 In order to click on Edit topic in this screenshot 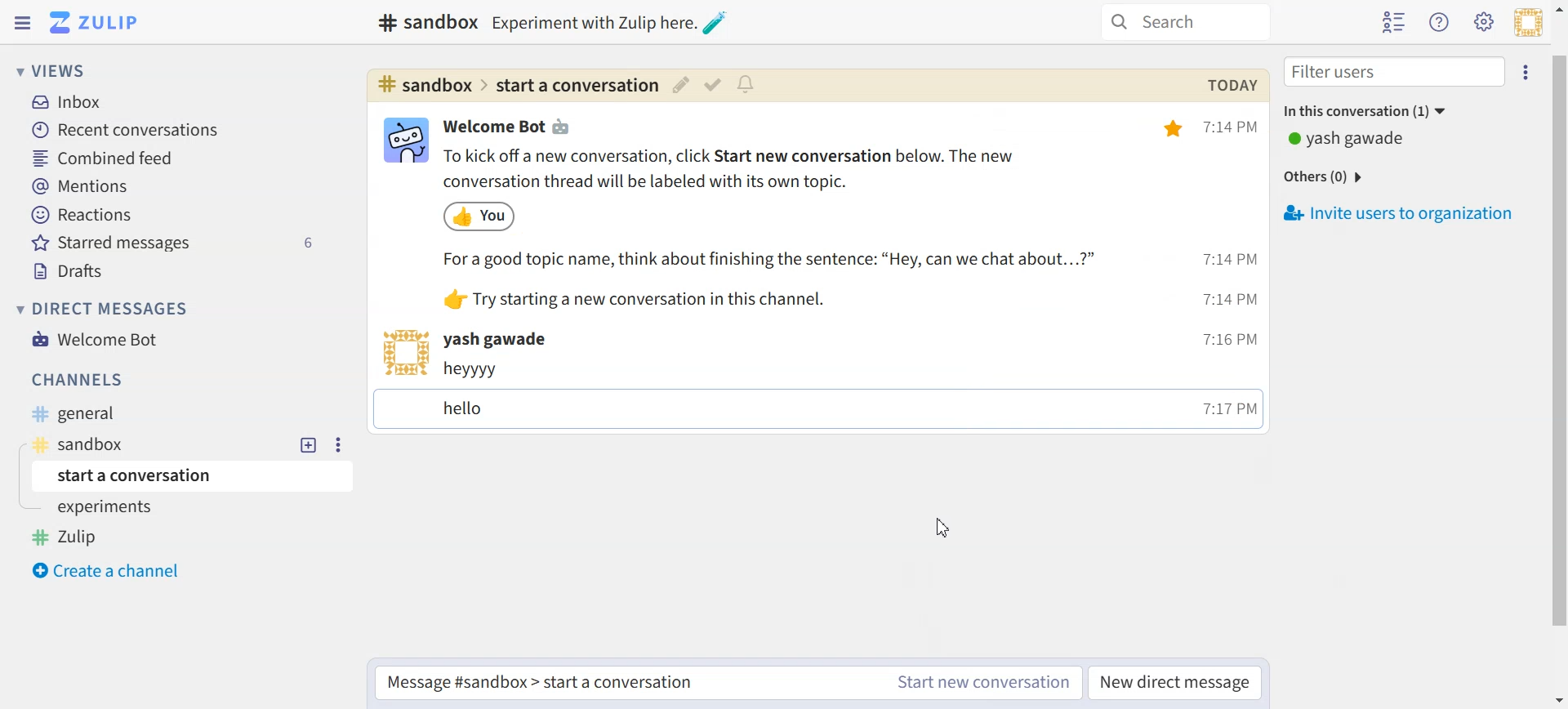, I will do `click(679, 84)`.